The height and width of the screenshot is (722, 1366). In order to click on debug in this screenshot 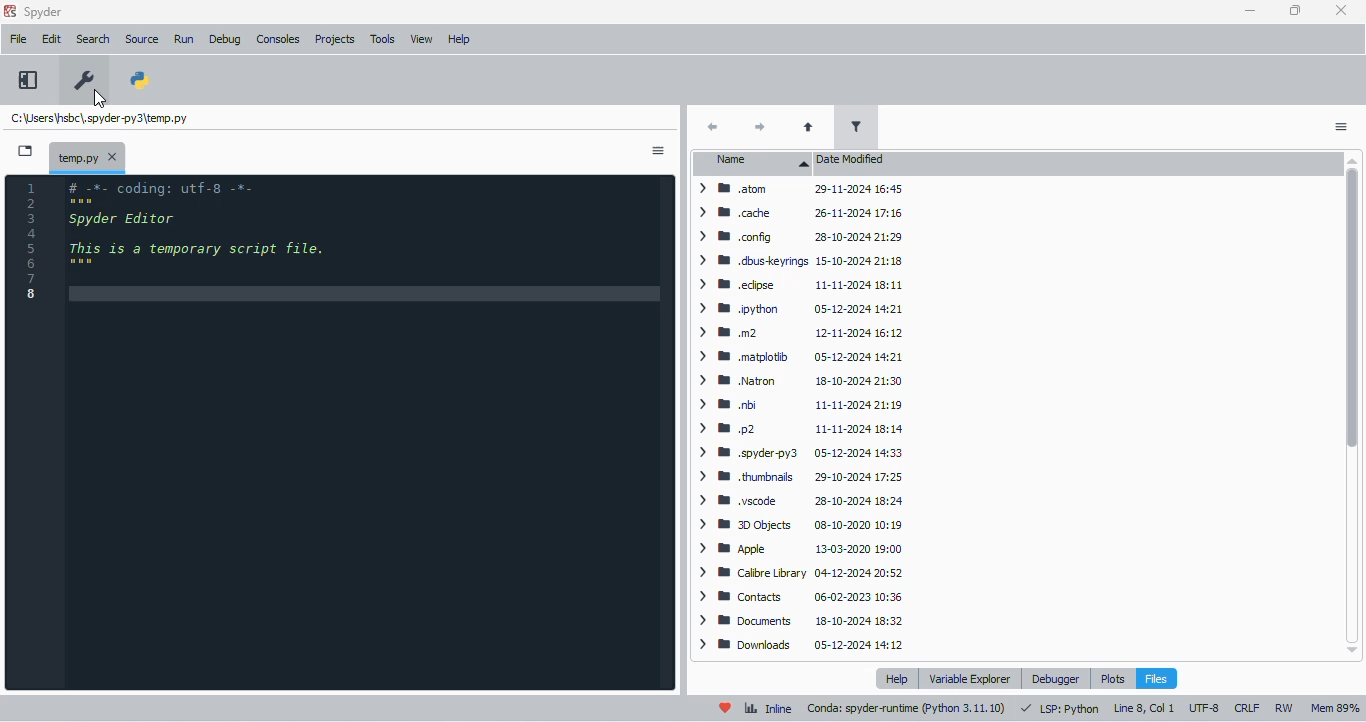, I will do `click(225, 41)`.